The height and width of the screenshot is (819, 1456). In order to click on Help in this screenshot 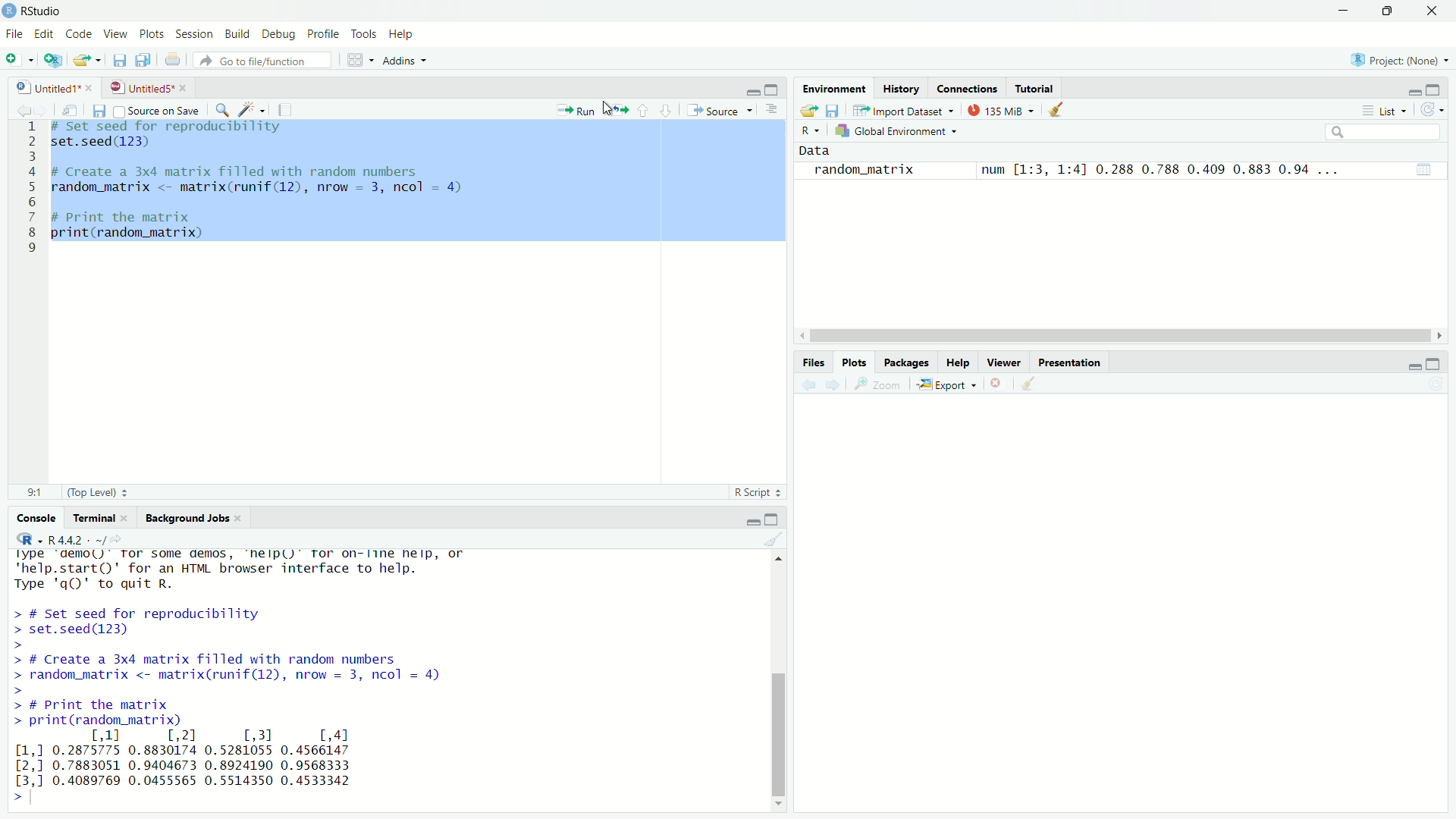, I will do `click(960, 361)`.